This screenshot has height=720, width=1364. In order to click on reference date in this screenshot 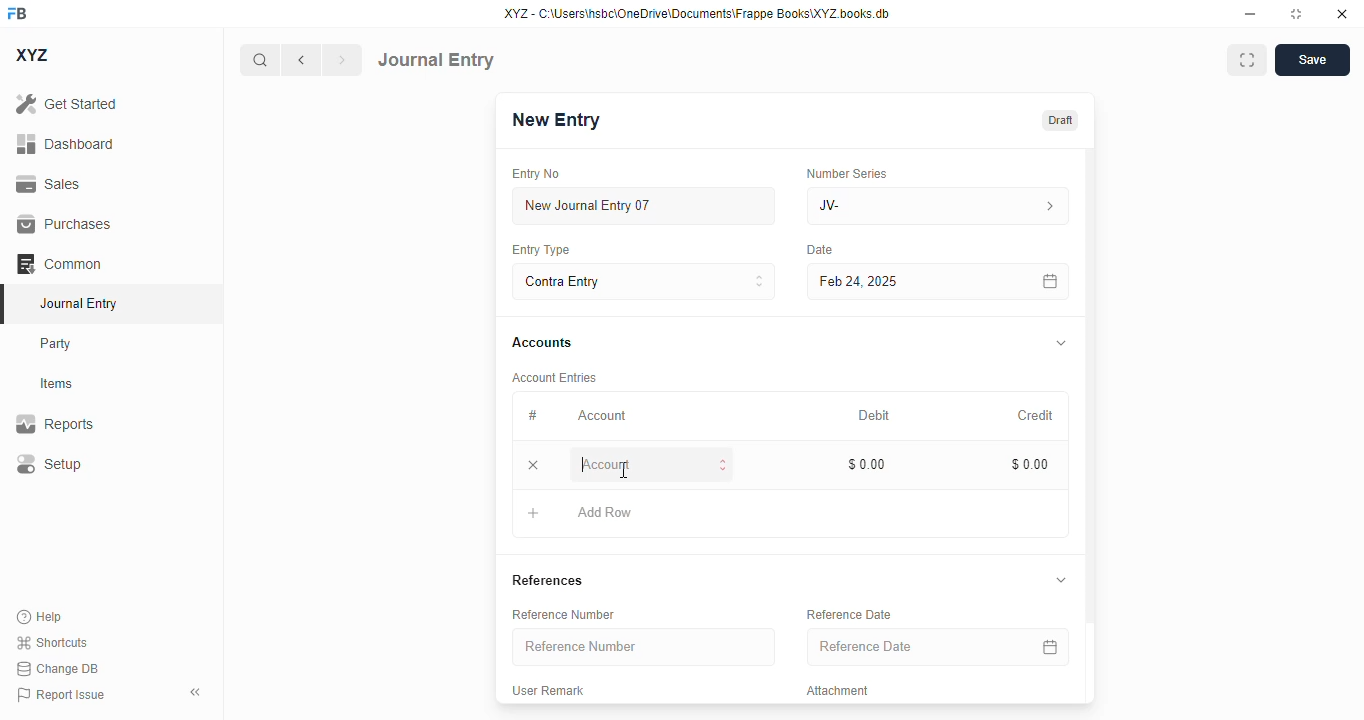, I will do `click(850, 614)`.